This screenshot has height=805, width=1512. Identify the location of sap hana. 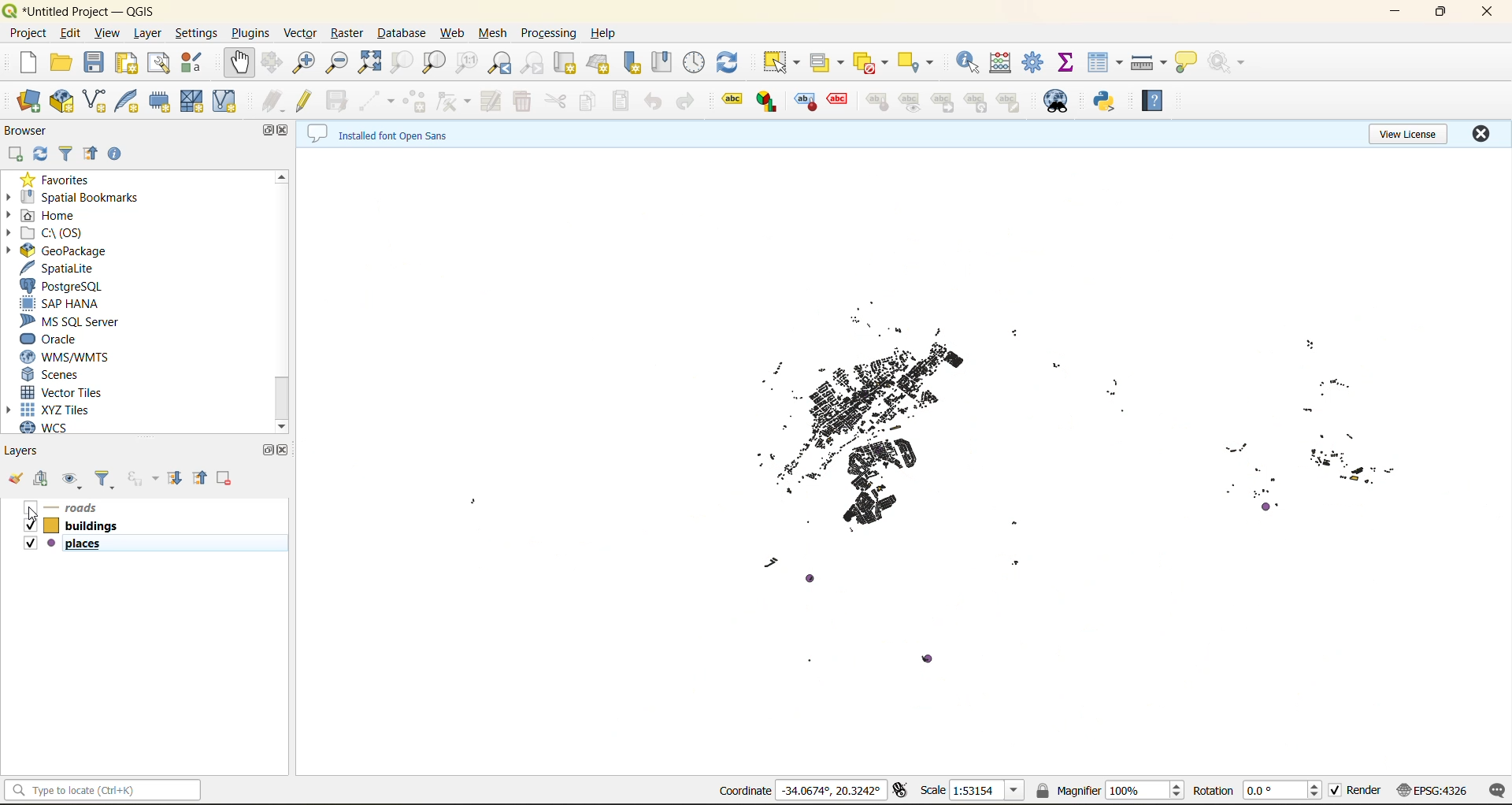
(76, 306).